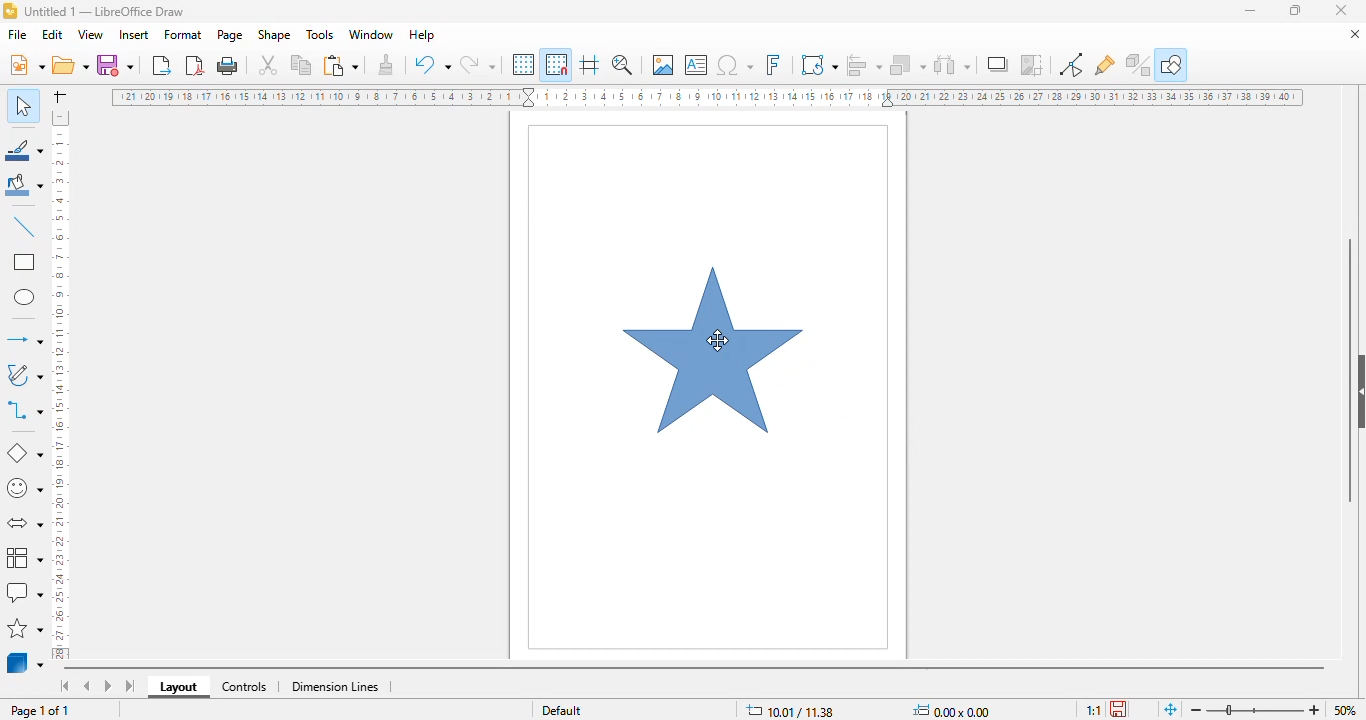 The image size is (1366, 720). I want to click on 3D objects, so click(25, 663).